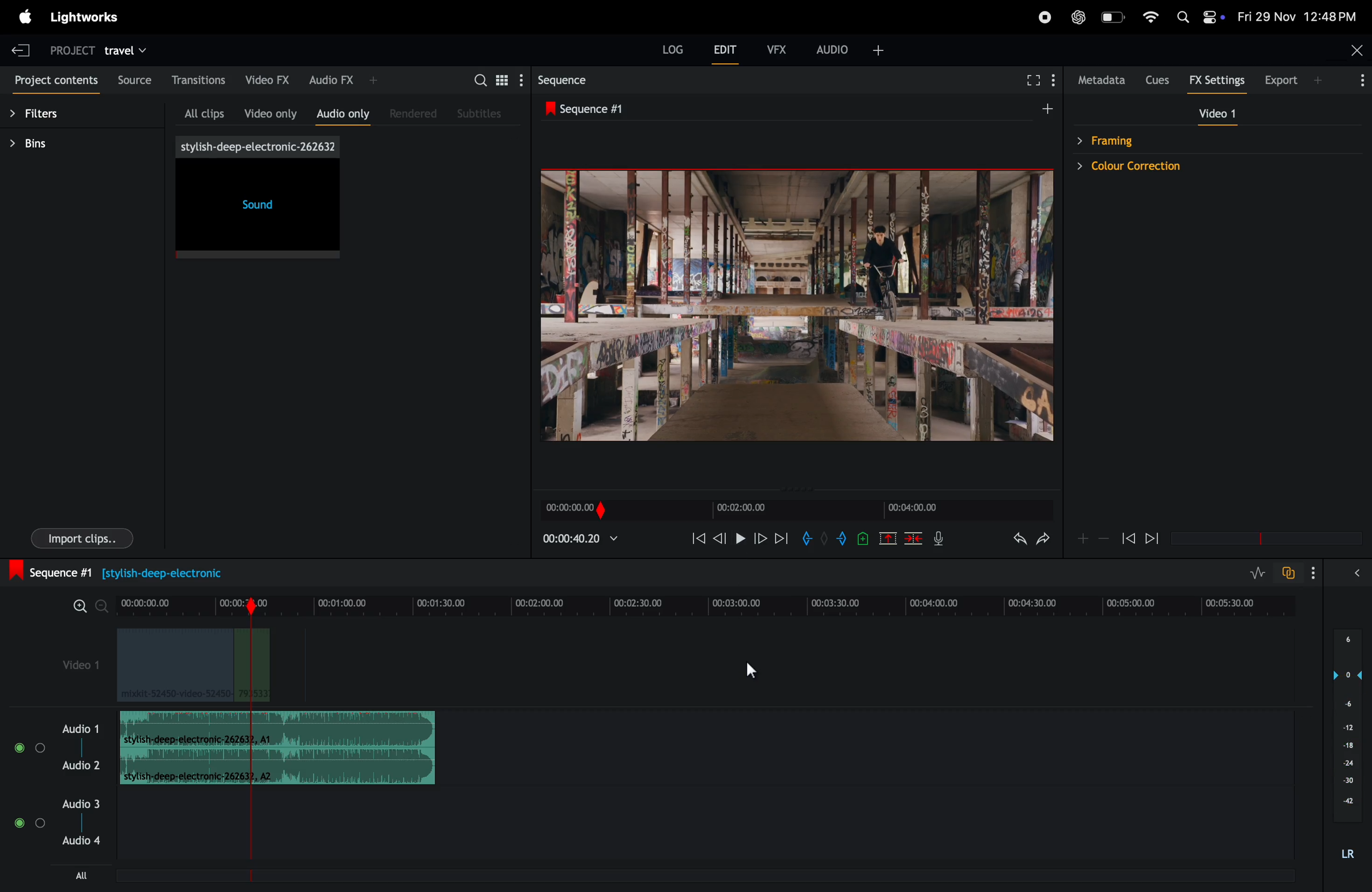 Image resolution: width=1372 pixels, height=892 pixels. I want to click on add out mark, so click(843, 538).